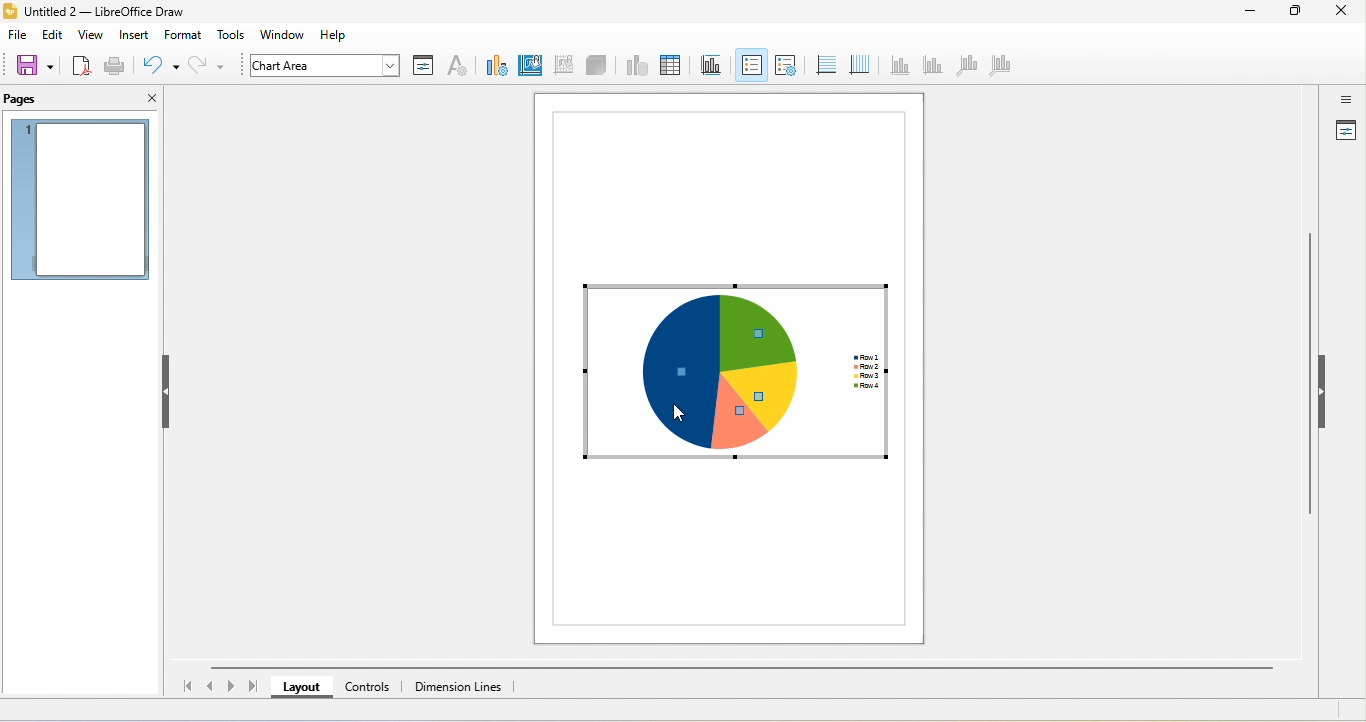 Image resolution: width=1366 pixels, height=722 pixels. I want to click on edit, so click(52, 36).